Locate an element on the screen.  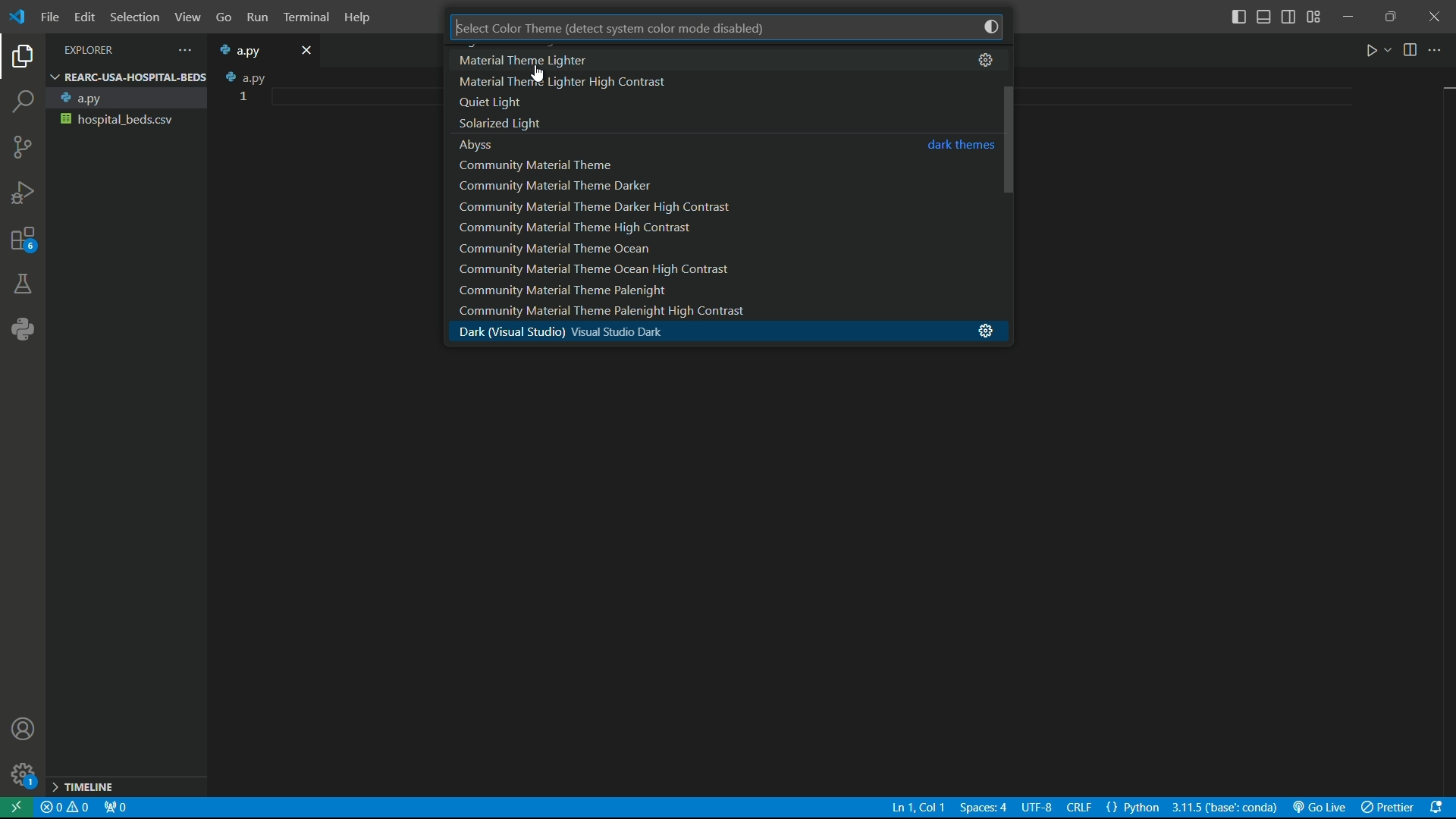
Quiet Light is located at coordinates (500, 103).